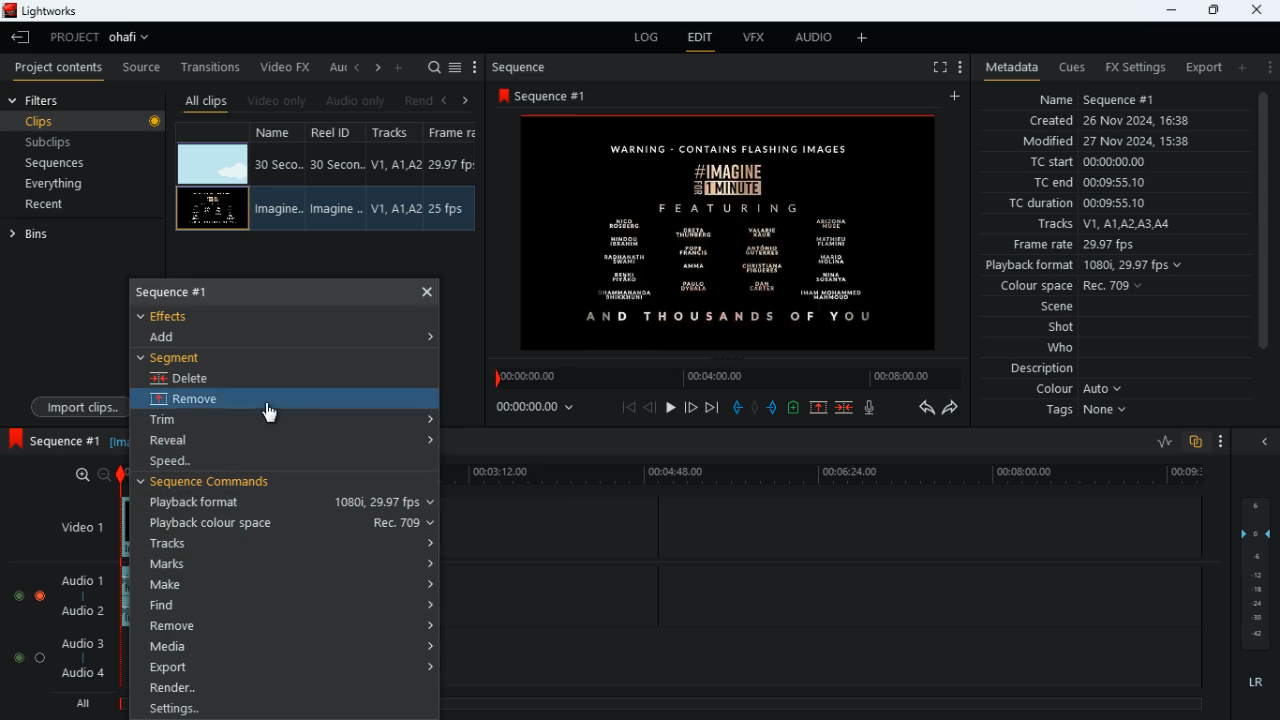 The image size is (1280, 720). Describe the element at coordinates (542, 410) in the screenshot. I see `time` at that location.